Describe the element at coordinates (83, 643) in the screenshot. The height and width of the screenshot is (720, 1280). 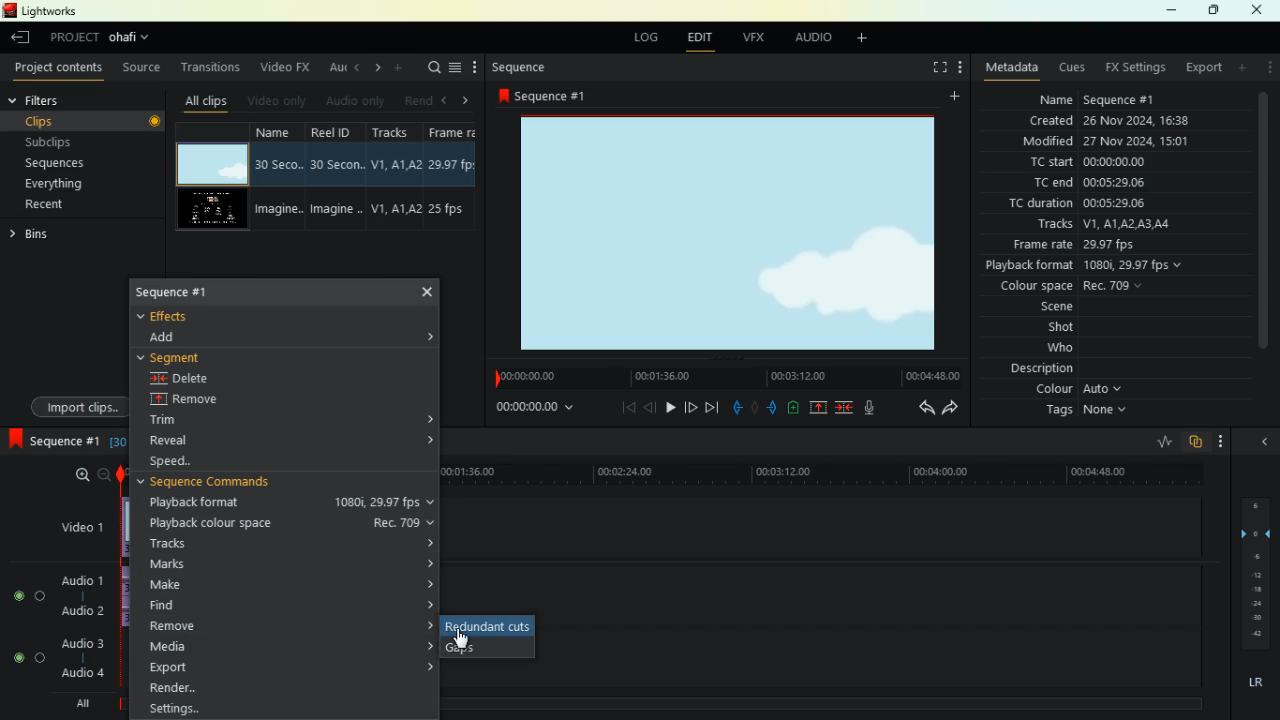
I see `Audio` at that location.